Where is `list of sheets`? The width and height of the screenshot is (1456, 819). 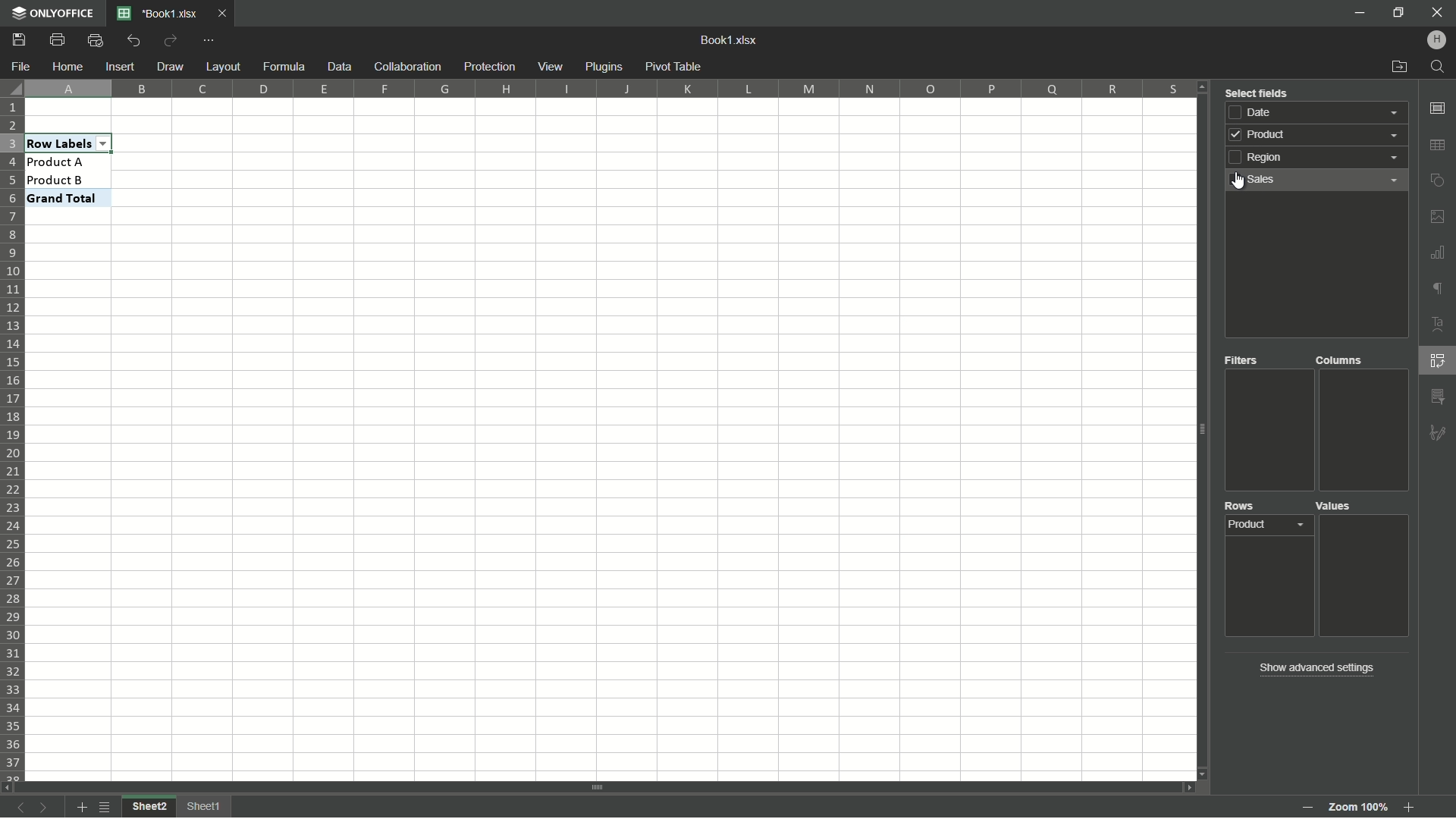
list of sheets is located at coordinates (106, 806).